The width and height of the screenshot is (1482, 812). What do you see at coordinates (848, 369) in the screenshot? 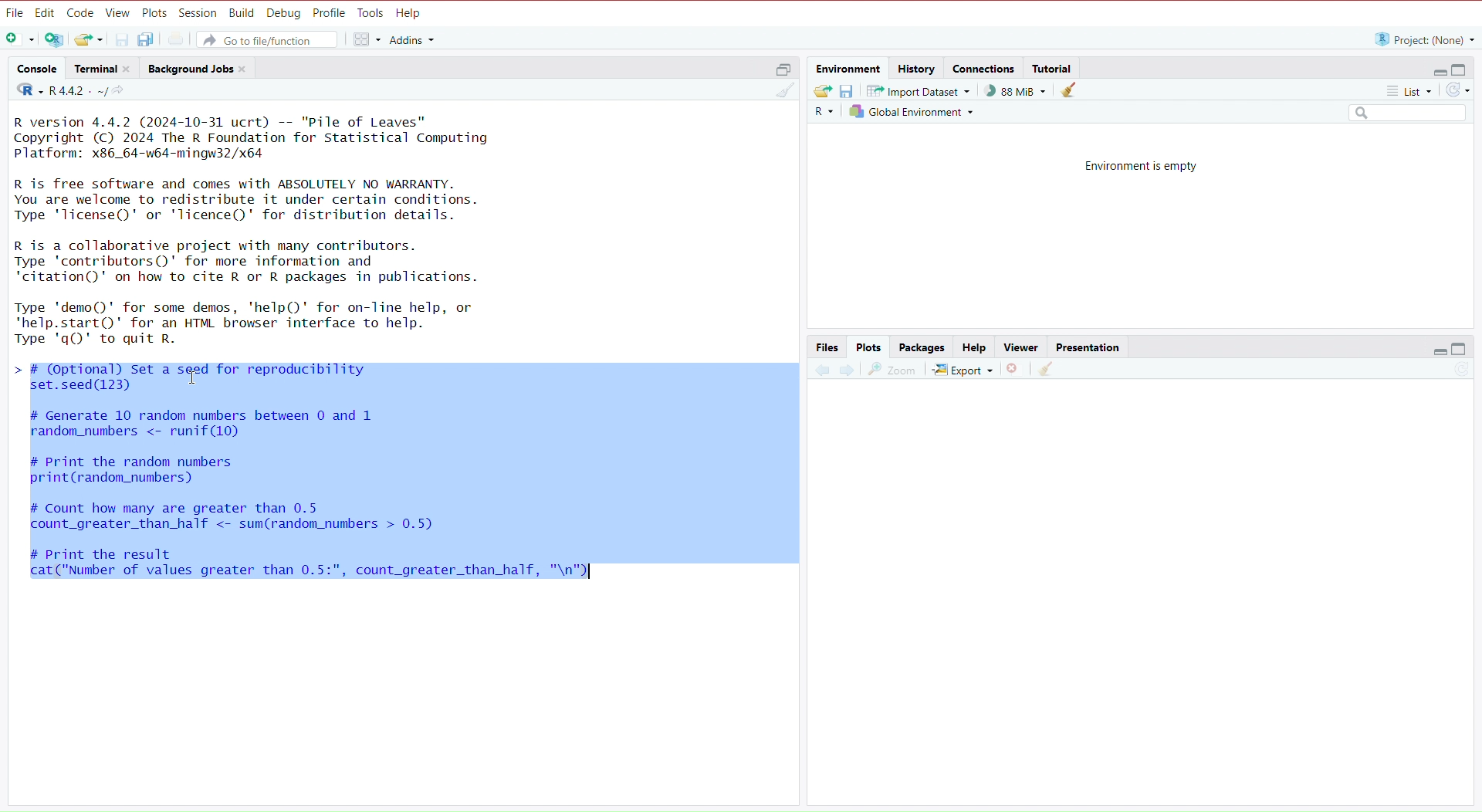
I see `Next Plot` at bounding box center [848, 369].